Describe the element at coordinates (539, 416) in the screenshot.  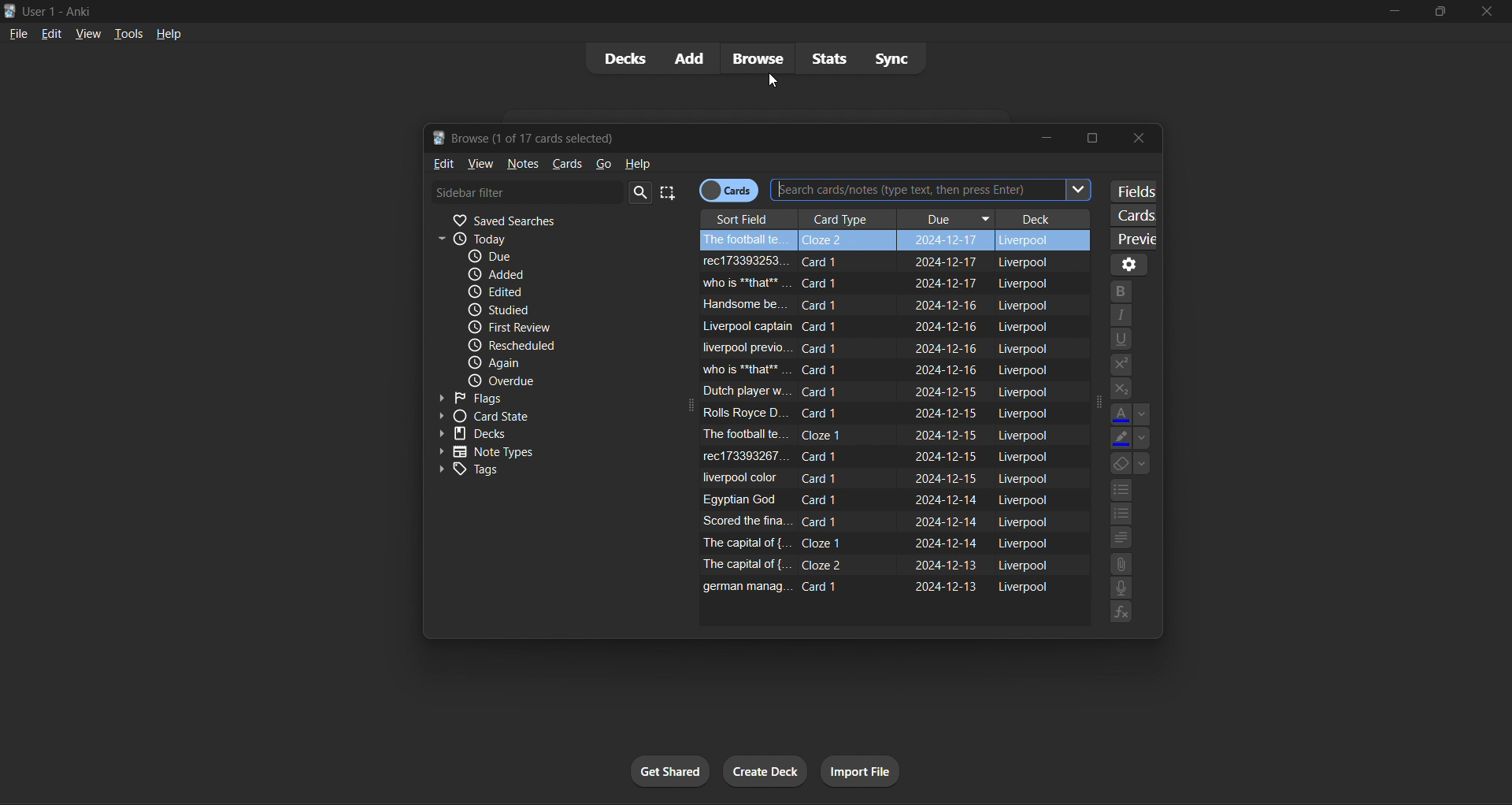
I see `card state filter` at that location.